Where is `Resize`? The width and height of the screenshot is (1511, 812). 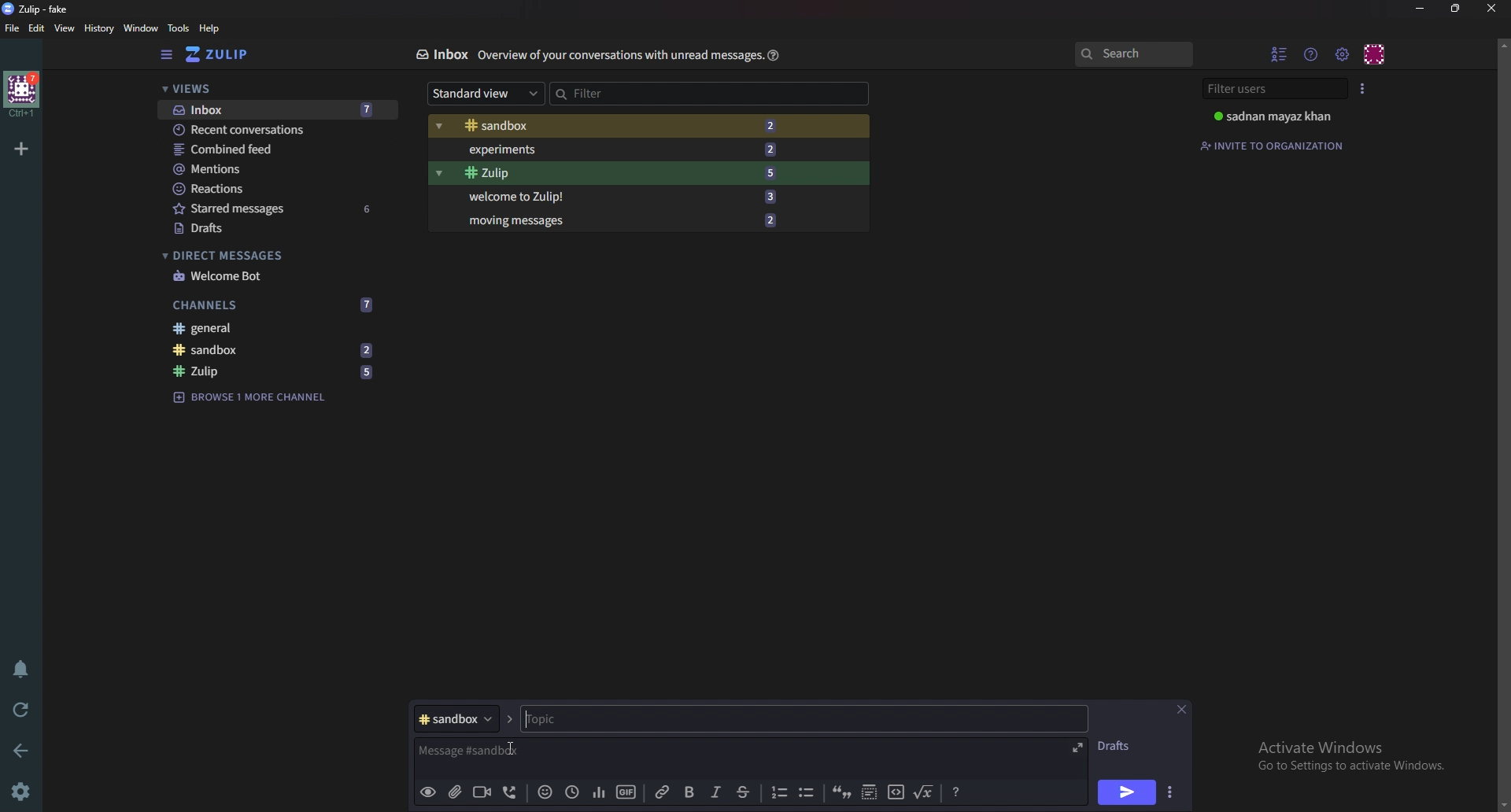
Resize is located at coordinates (1458, 8).